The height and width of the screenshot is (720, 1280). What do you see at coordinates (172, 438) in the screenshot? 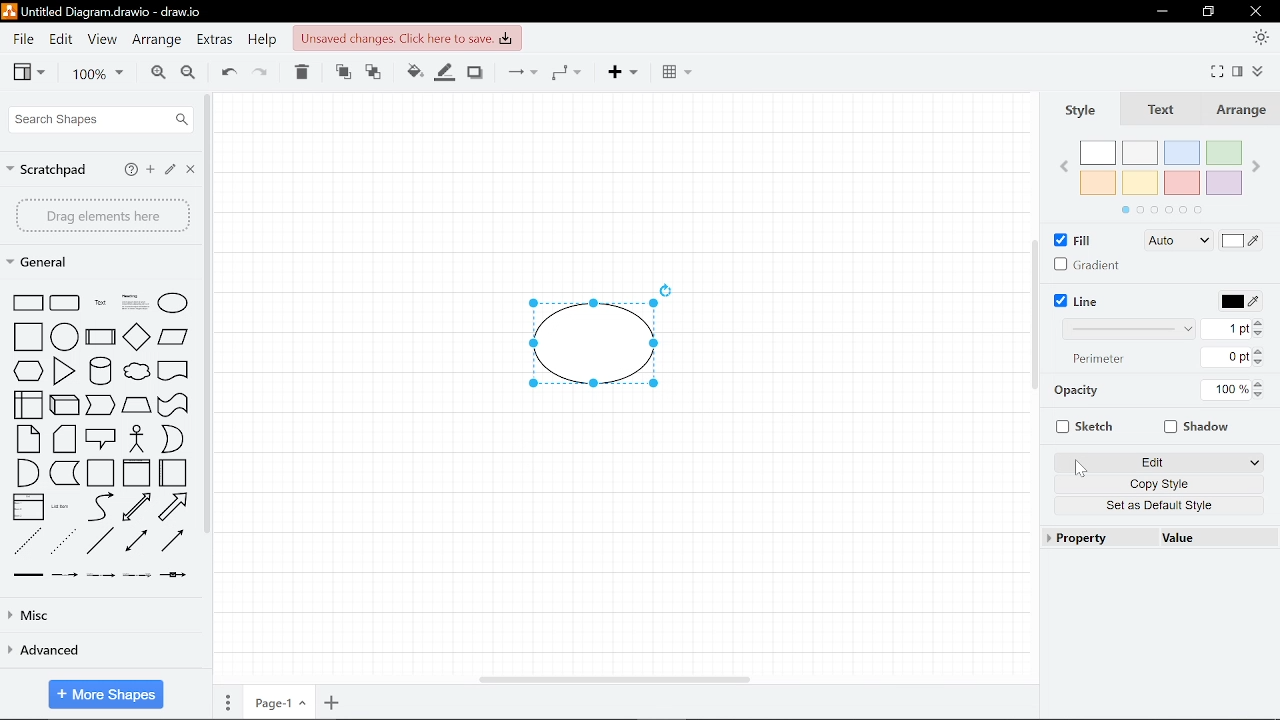
I see `or` at bounding box center [172, 438].